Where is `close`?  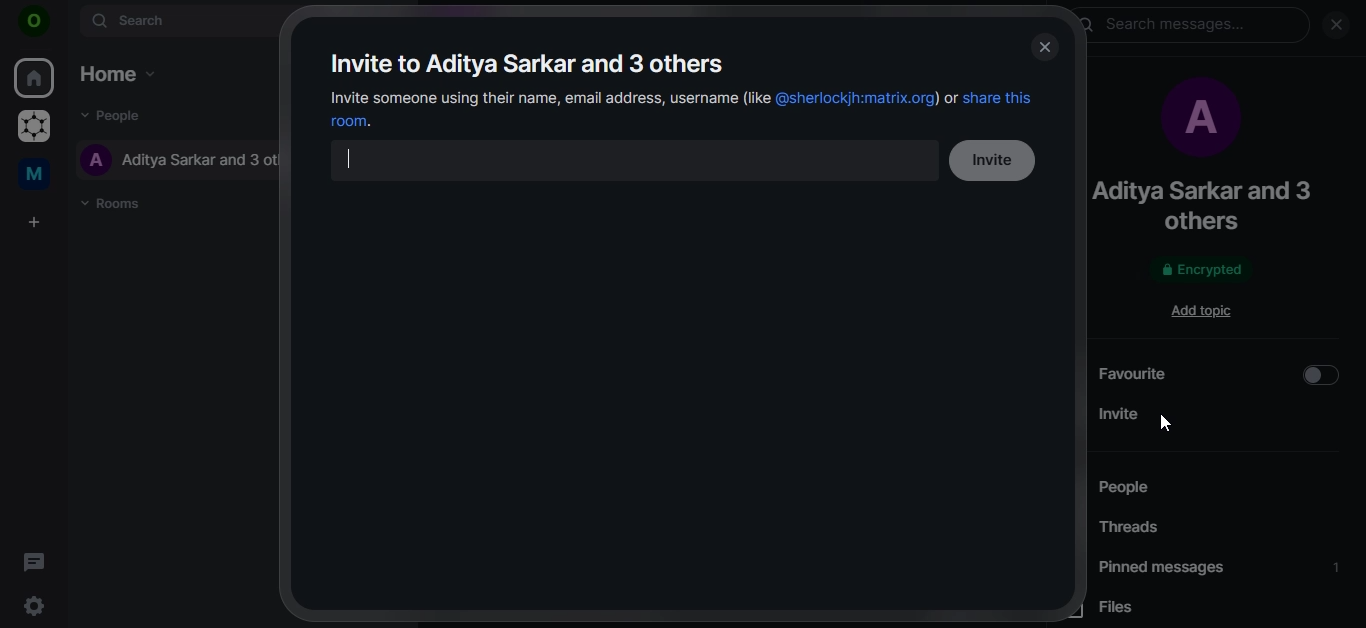 close is located at coordinates (1044, 48).